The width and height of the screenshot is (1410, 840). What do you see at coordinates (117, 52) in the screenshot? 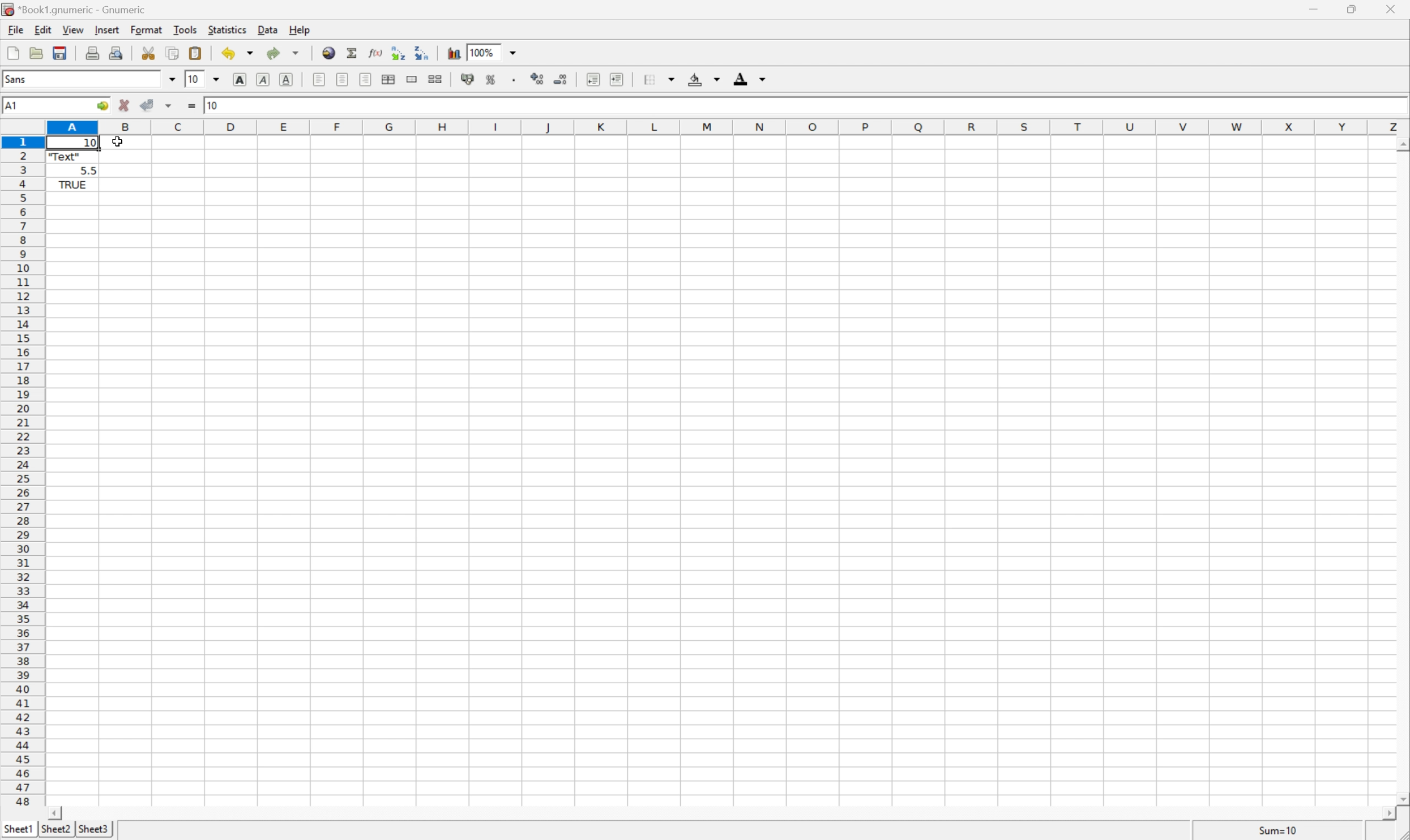
I see `Print preview` at bounding box center [117, 52].